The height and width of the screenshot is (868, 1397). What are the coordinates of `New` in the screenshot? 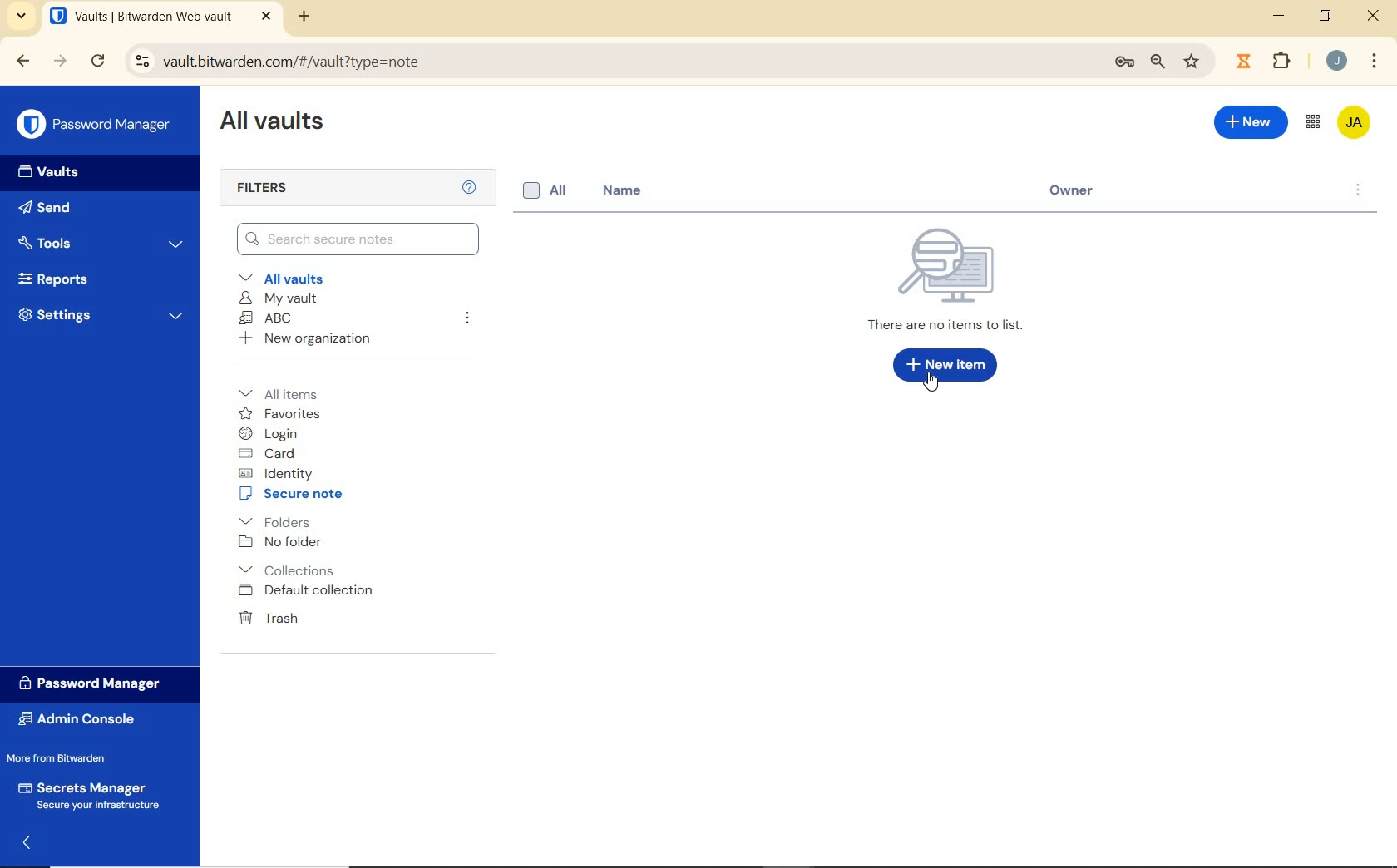 It's located at (1251, 126).